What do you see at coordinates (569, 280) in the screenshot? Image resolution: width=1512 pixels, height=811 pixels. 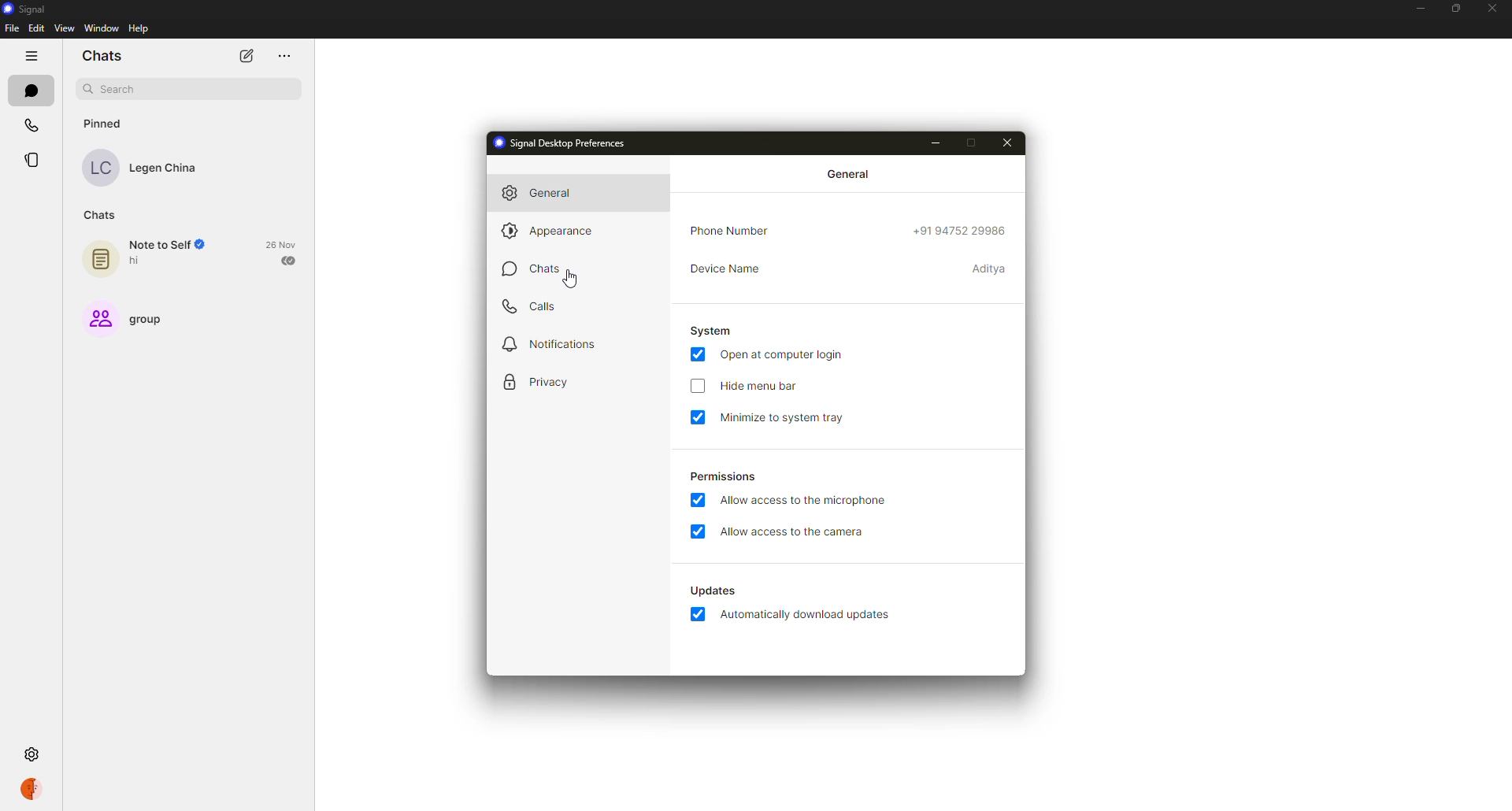 I see `cursor` at bounding box center [569, 280].